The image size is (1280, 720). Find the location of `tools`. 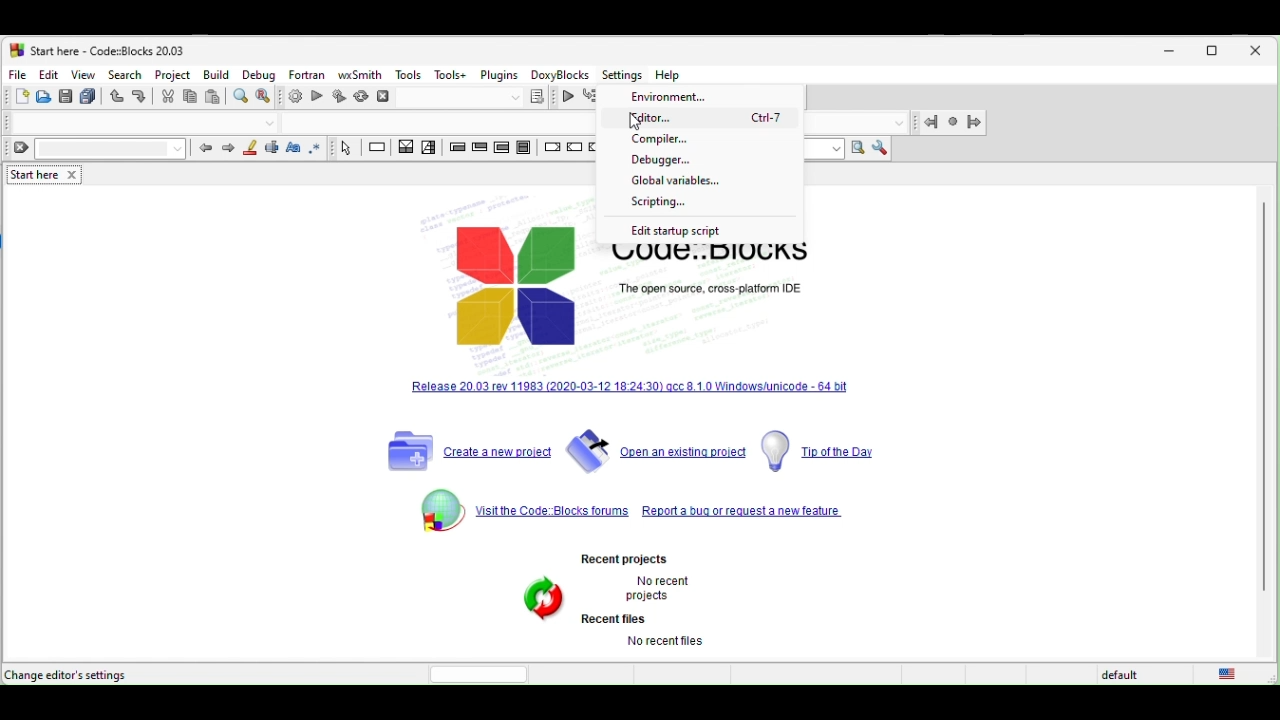

tools is located at coordinates (408, 74).